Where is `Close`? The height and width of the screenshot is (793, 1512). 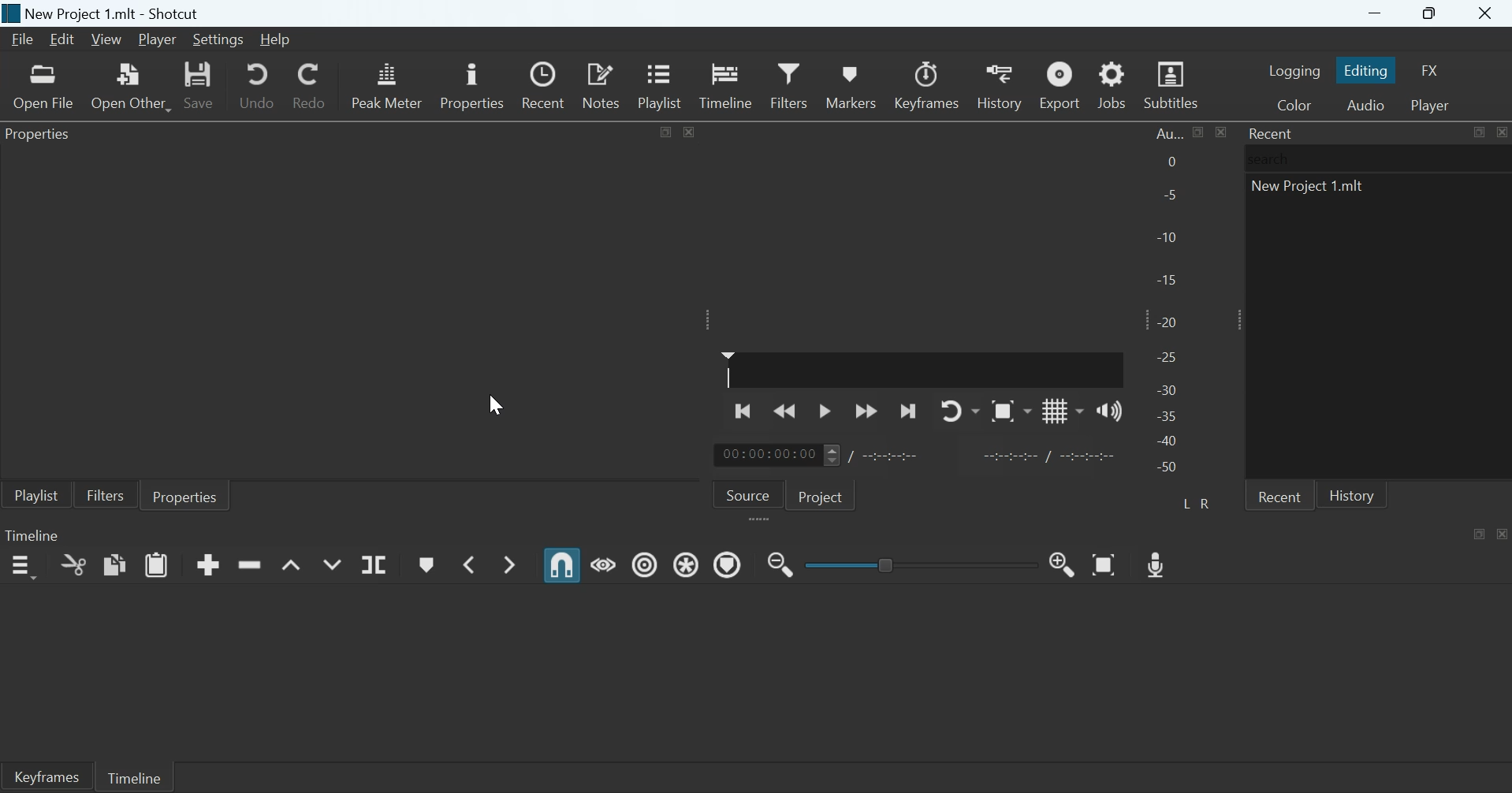 Close is located at coordinates (1487, 14).